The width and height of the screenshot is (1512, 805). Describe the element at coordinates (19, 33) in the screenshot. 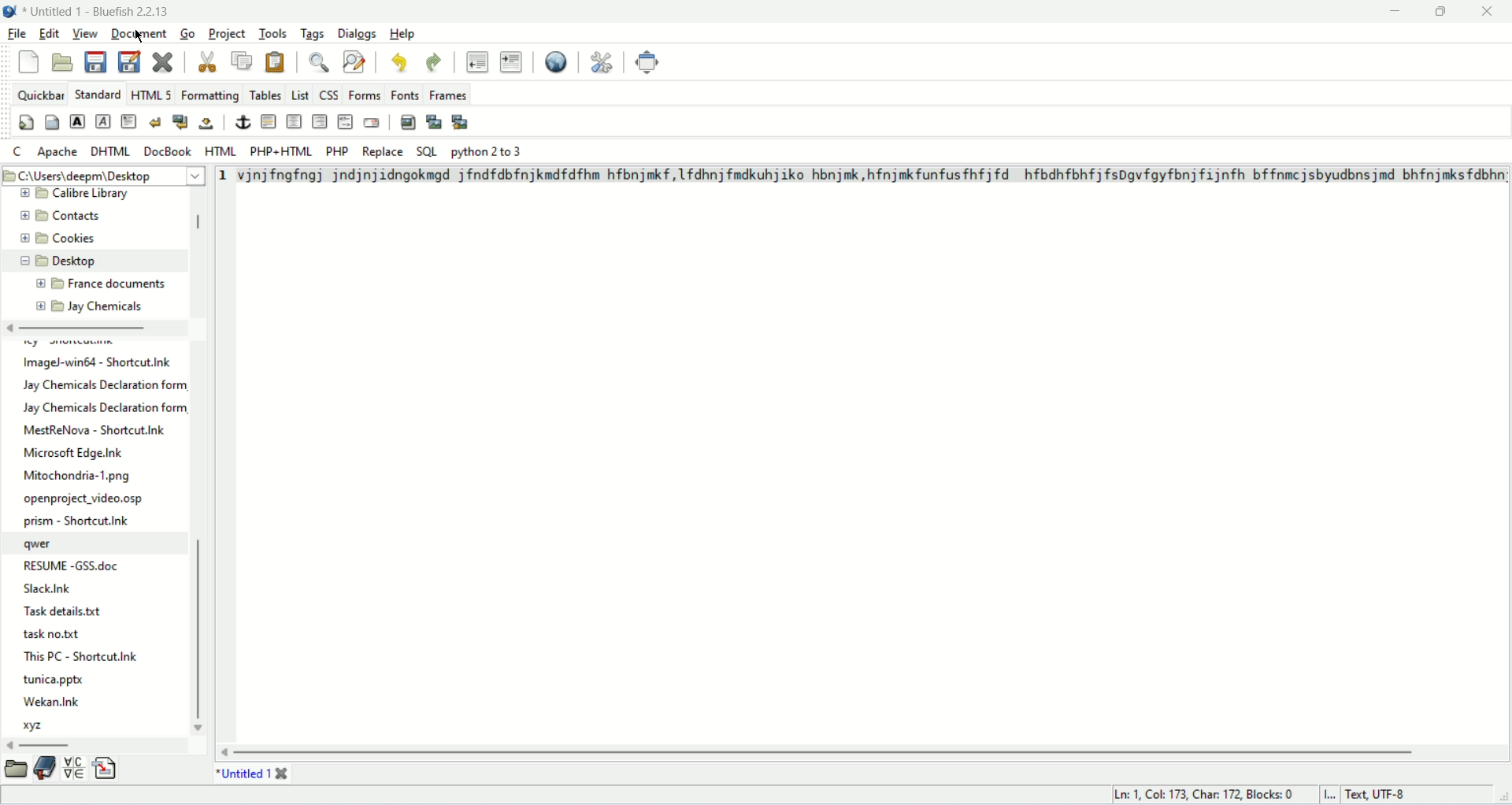

I see `file` at that location.